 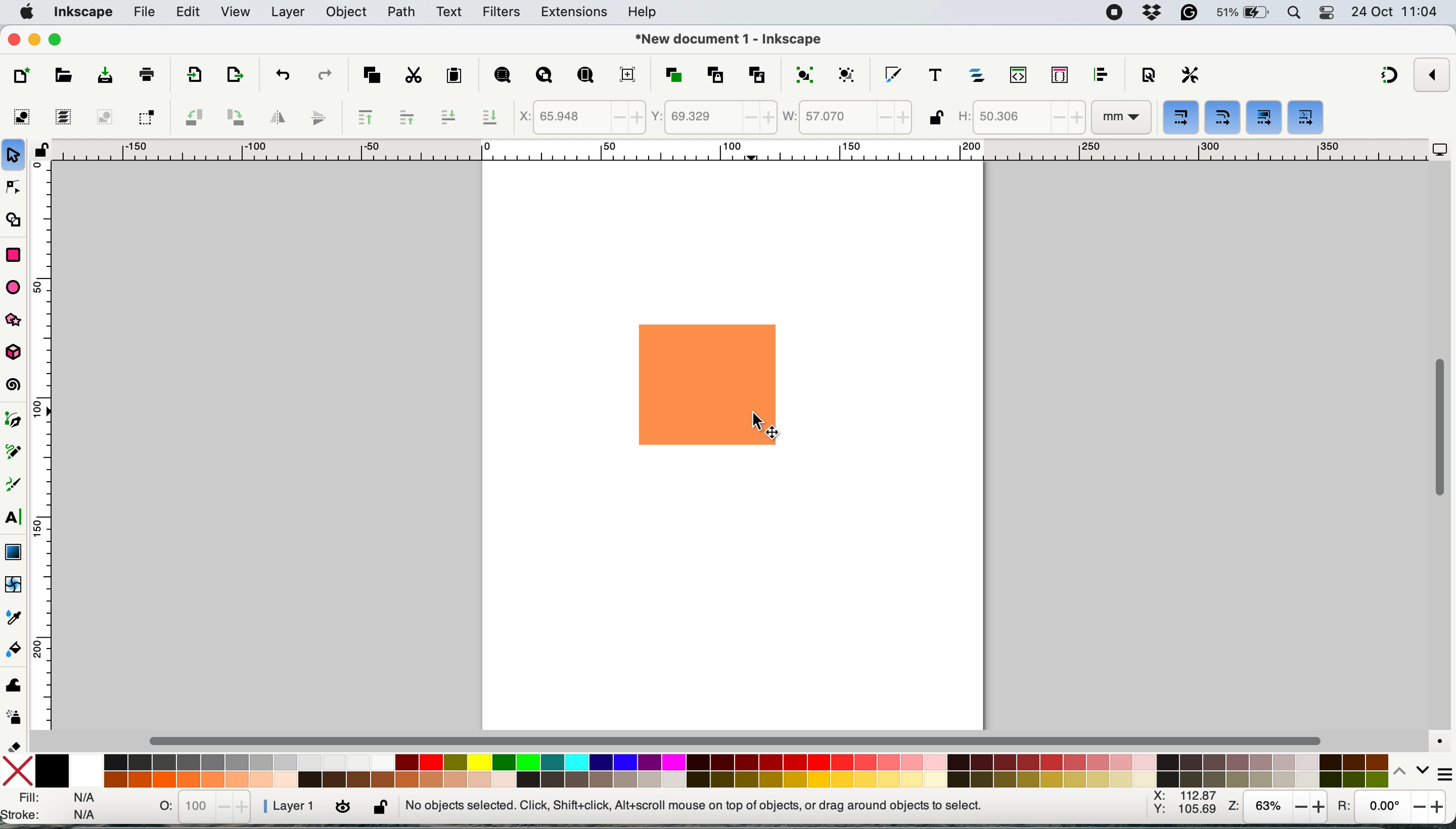 What do you see at coordinates (765, 424) in the screenshot?
I see `cursor` at bounding box center [765, 424].